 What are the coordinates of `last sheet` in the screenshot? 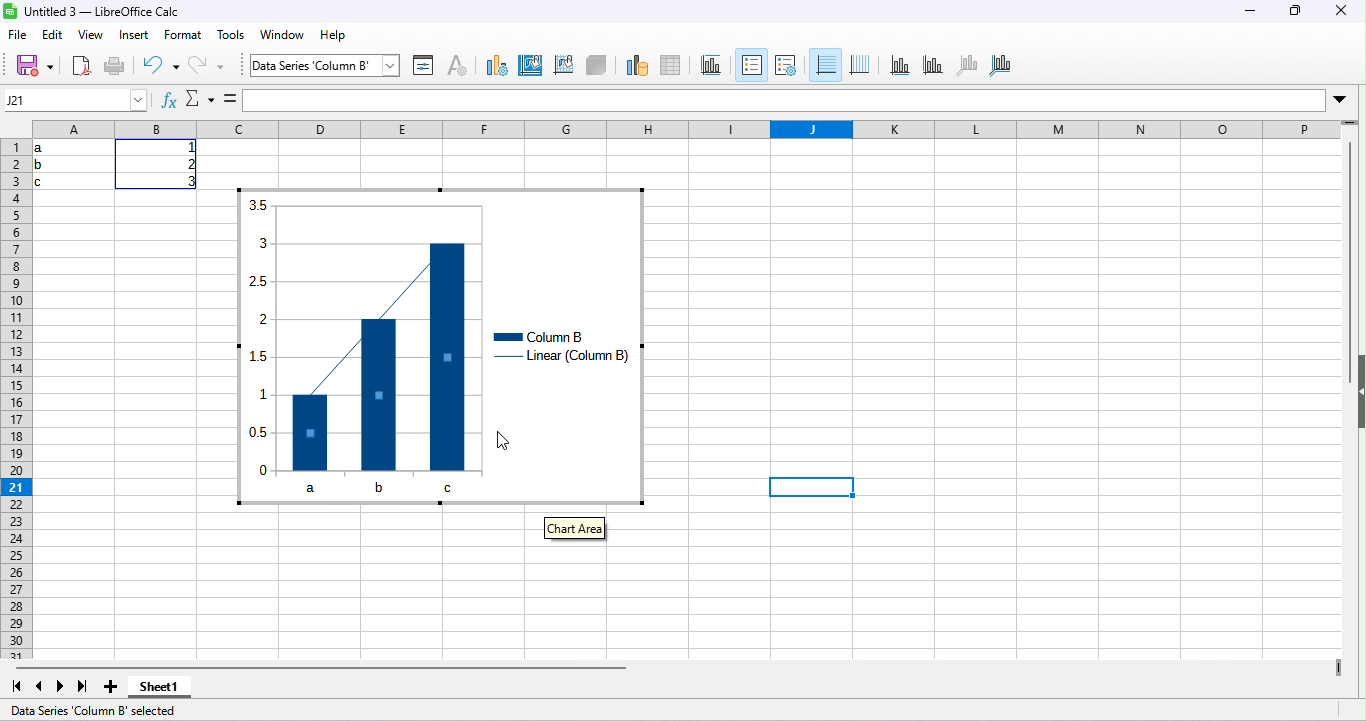 It's located at (85, 689).